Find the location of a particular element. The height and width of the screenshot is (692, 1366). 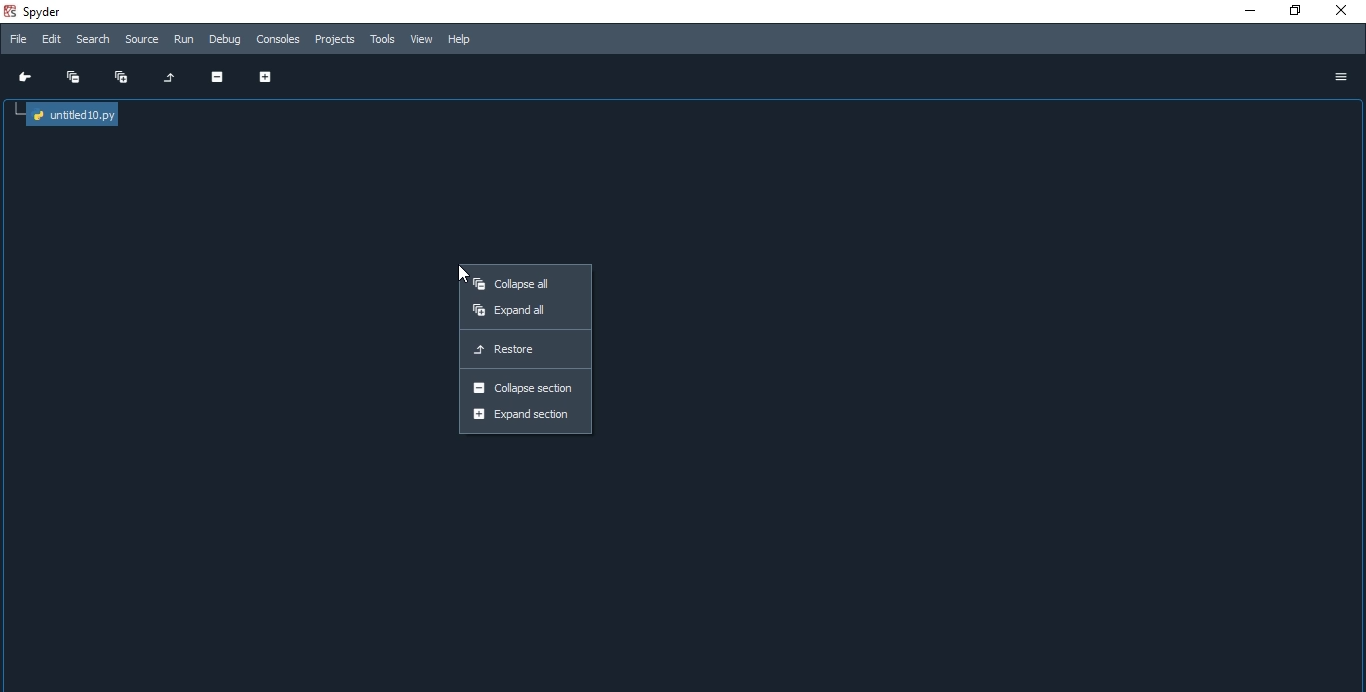

Collapse section is located at coordinates (213, 81).